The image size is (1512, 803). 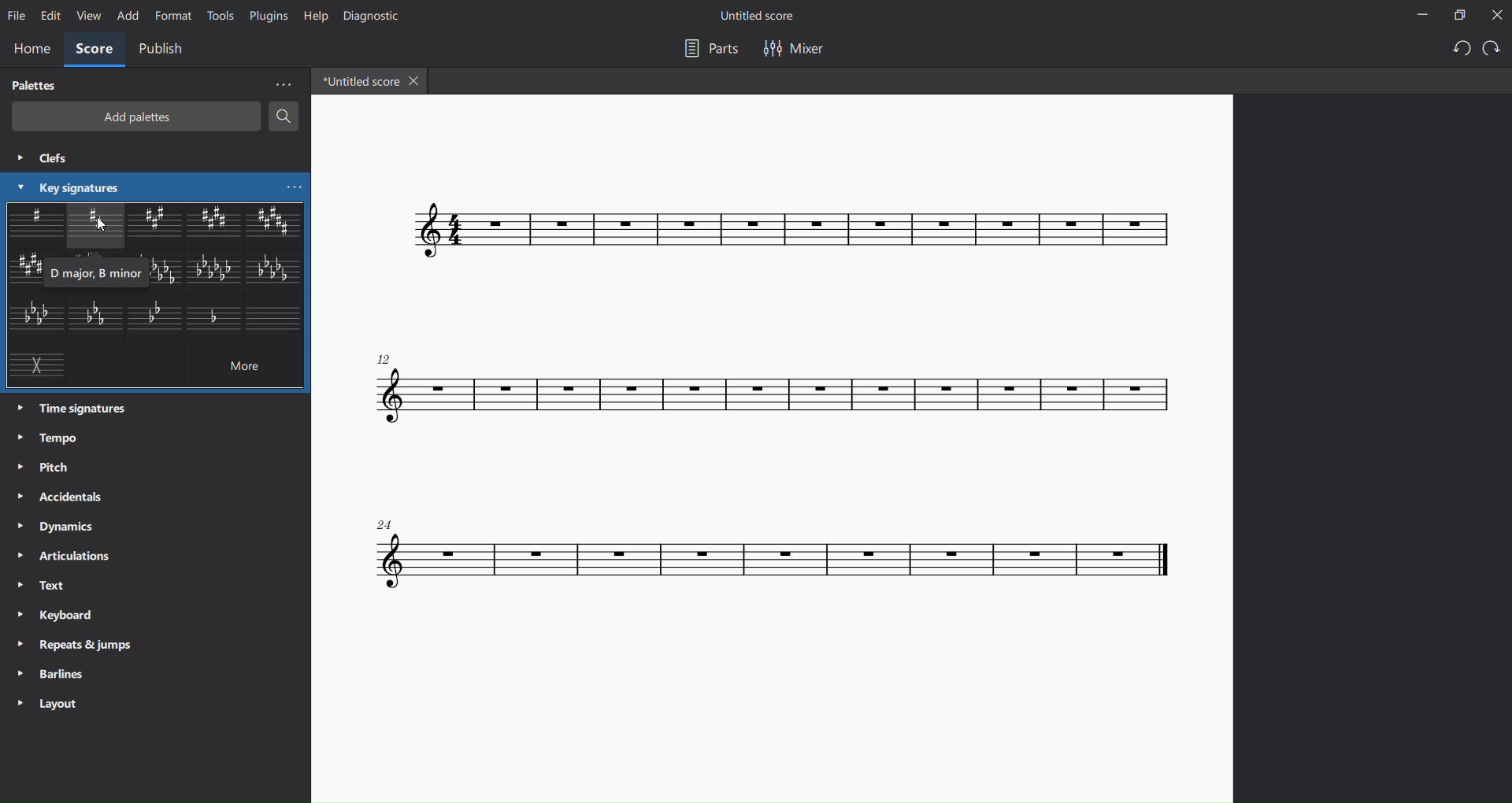 I want to click on dynamics, so click(x=64, y=528).